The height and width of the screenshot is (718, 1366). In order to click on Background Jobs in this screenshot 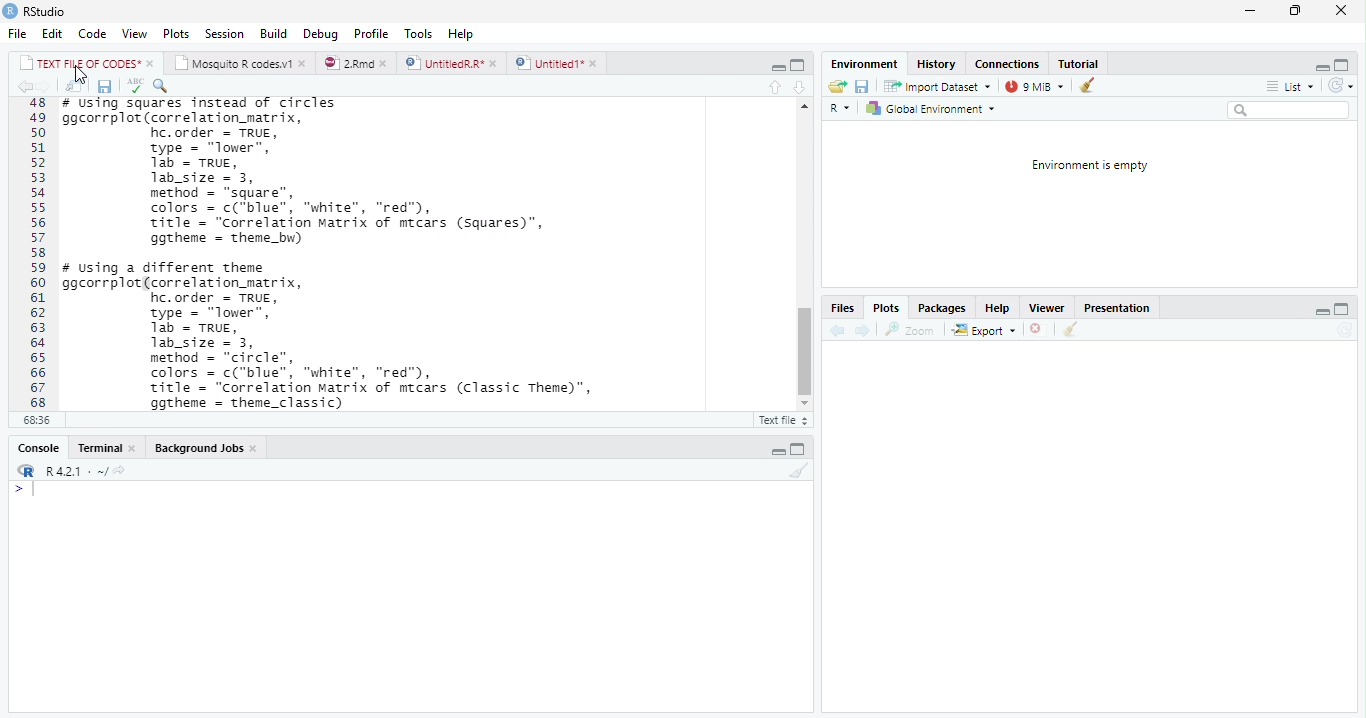, I will do `click(205, 450)`.